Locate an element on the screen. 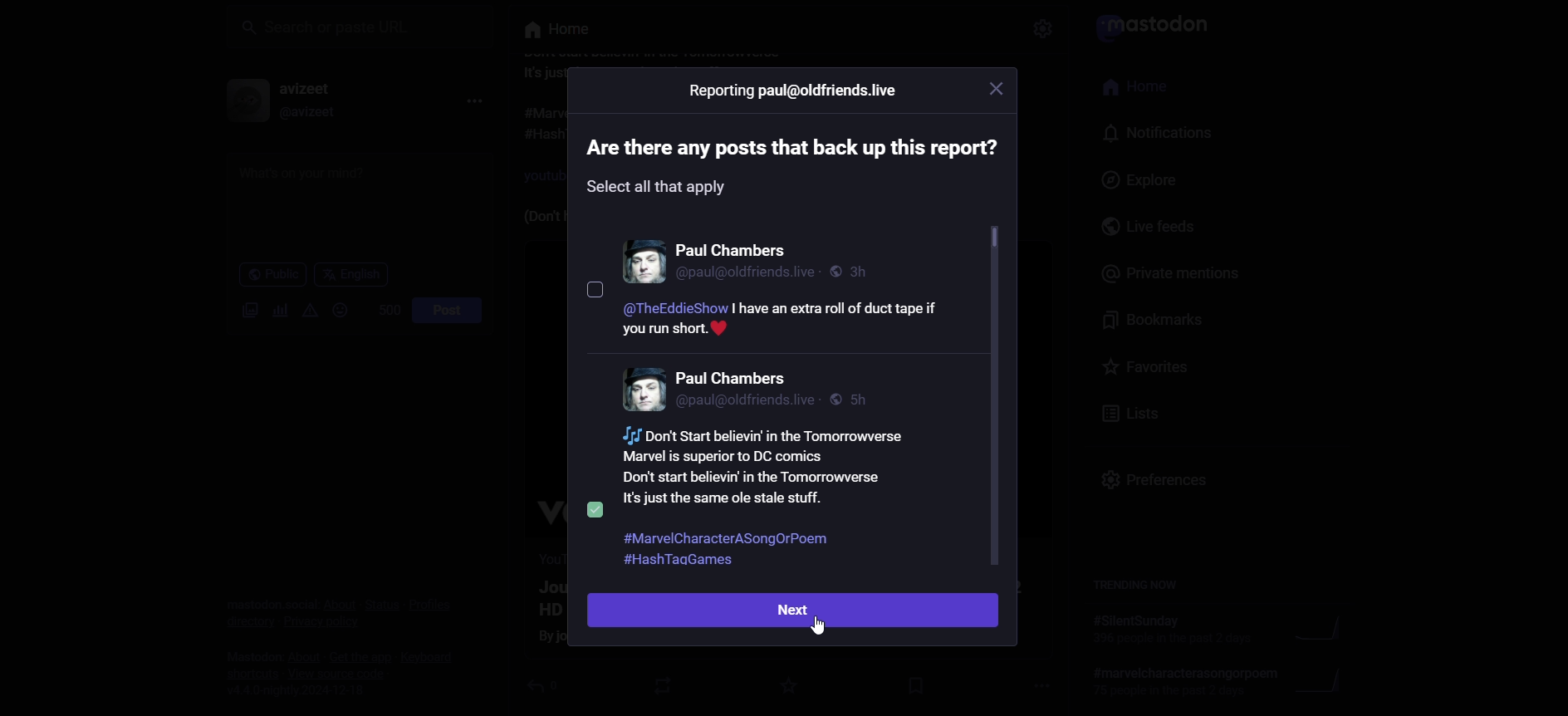  live feeds is located at coordinates (1154, 228).